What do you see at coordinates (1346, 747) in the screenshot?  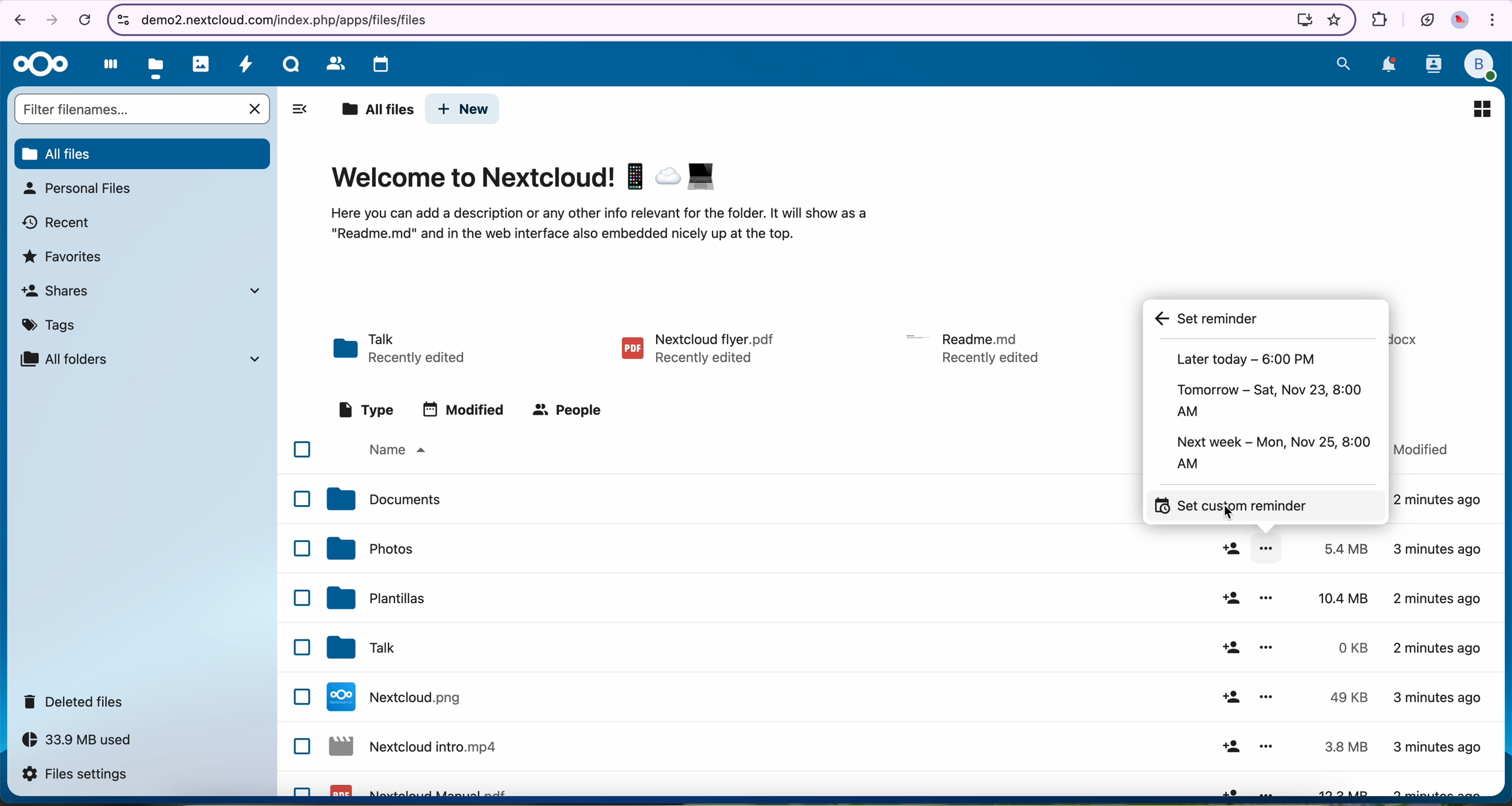 I see `3.8` at bounding box center [1346, 747].